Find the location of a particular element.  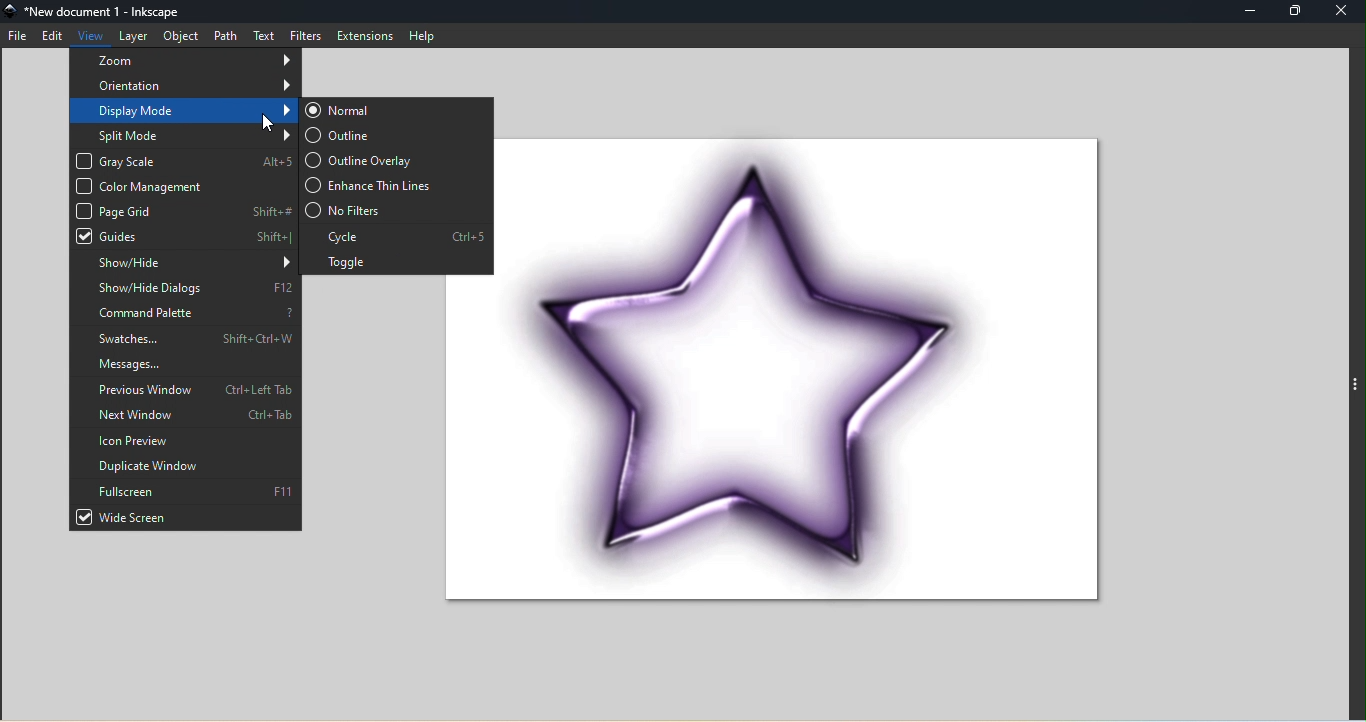

Wide screen is located at coordinates (188, 519).